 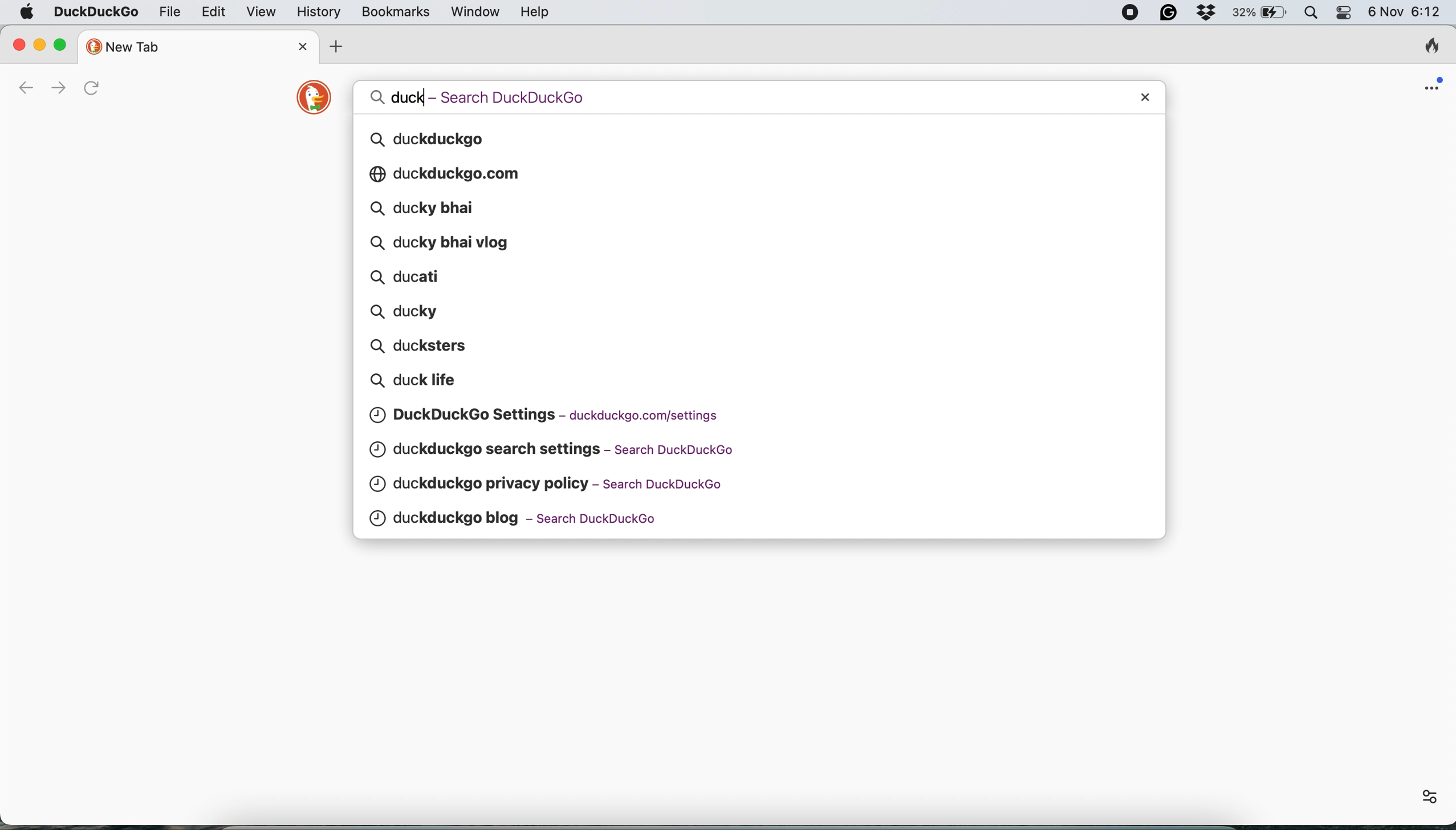 I want to click on maximise, so click(x=66, y=44).